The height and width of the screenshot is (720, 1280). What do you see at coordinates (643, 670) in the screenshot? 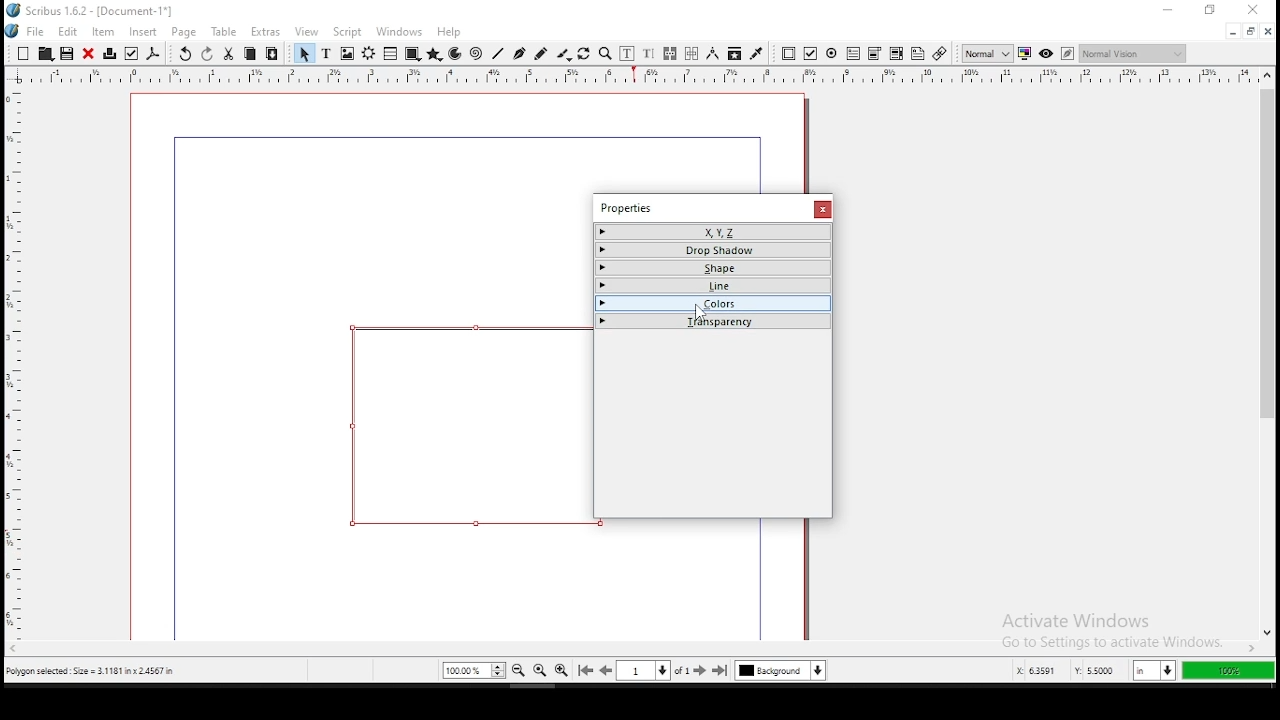
I see `select current page` at bounding box center [643, 670].